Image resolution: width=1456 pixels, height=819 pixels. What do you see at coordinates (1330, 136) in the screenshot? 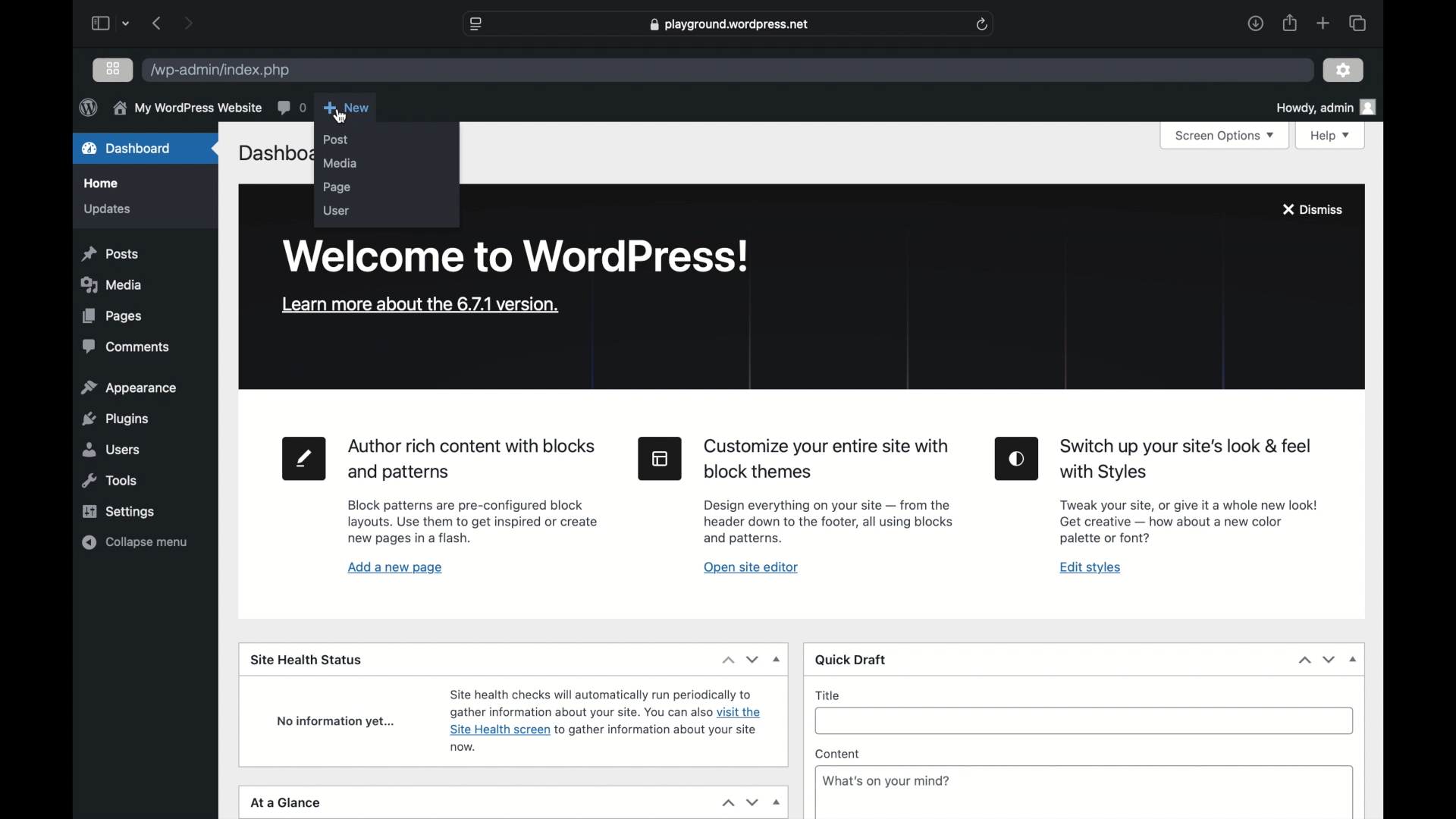
I see `help` at bounding box center [1330, 136].